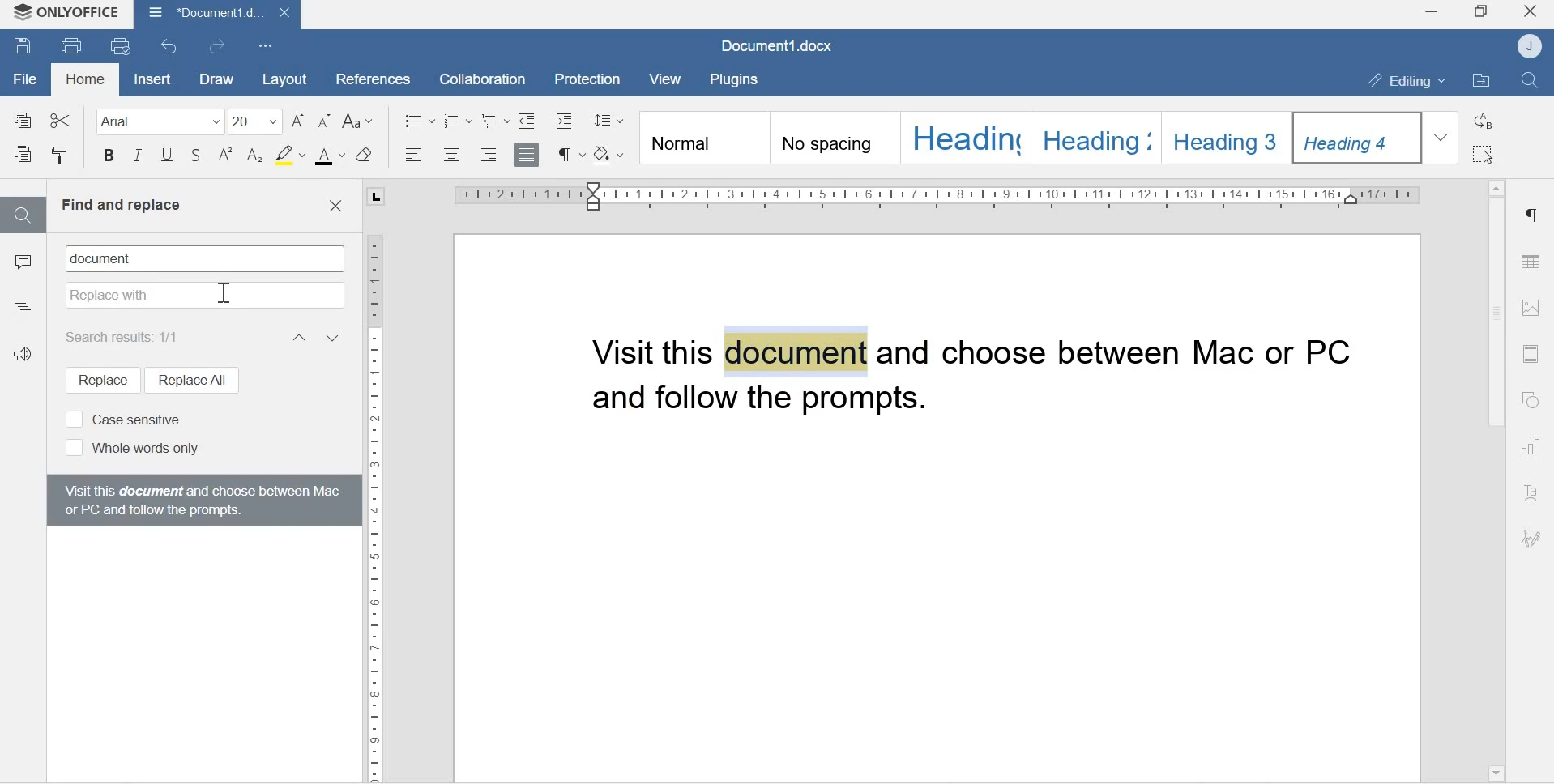 The image size is (1554, 784). I want to click on Editing, so click(1398, 80).